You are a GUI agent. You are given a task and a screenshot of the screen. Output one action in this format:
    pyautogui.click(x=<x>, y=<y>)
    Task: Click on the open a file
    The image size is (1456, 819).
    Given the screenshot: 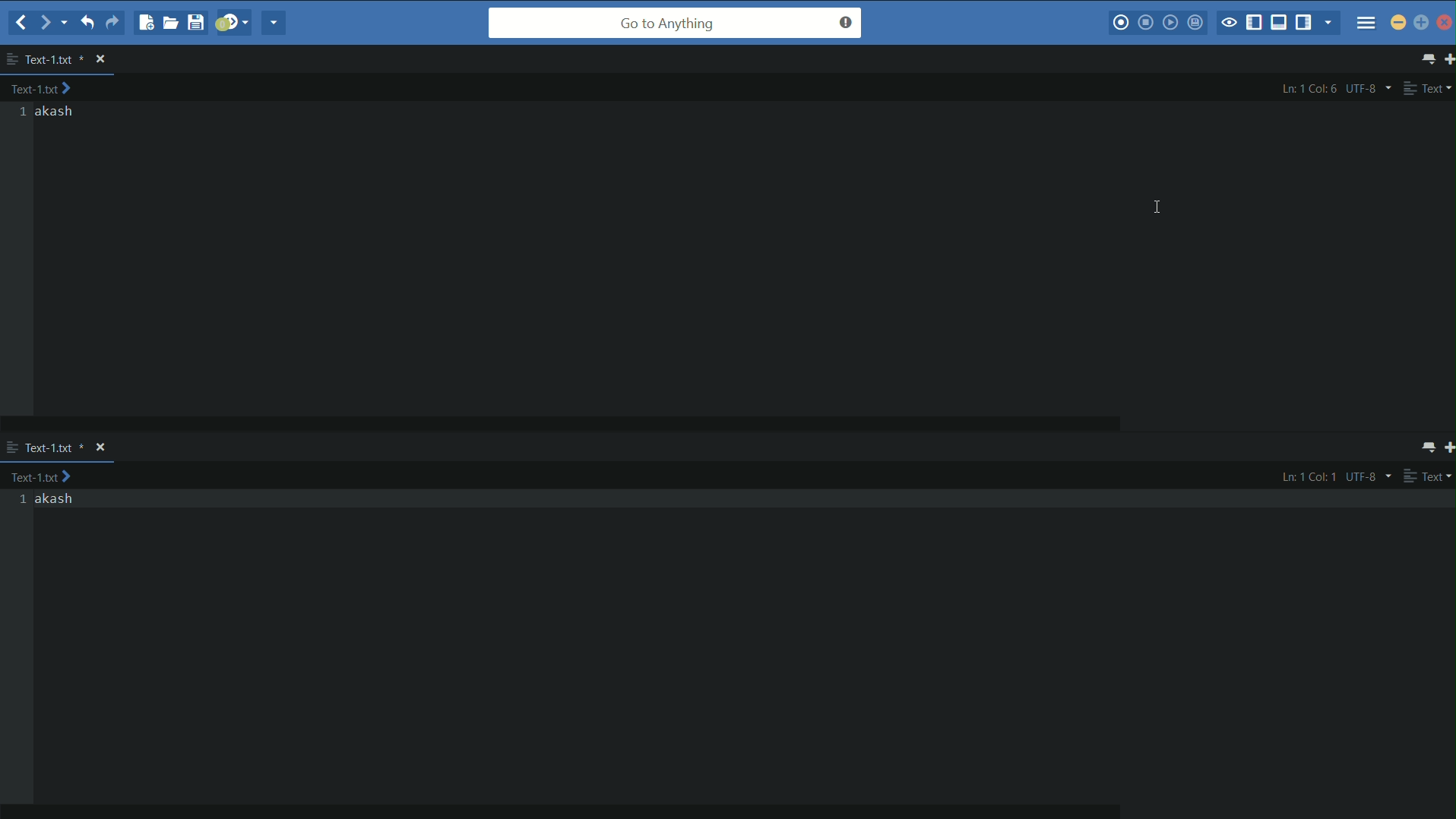 What is the action you would take?
    pyautogui.click(x=172, y=22)
    